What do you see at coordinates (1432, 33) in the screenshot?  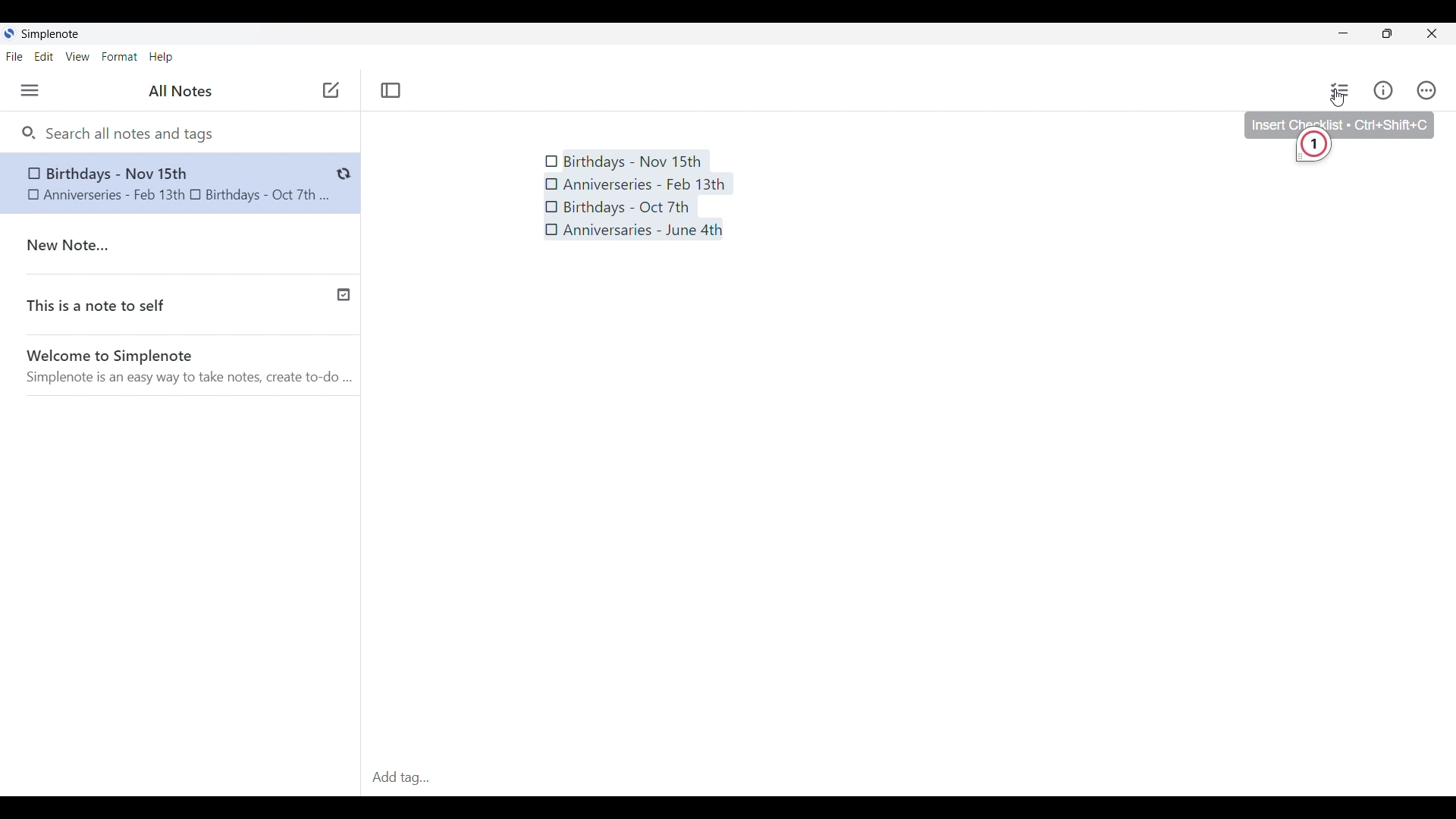 I see `Close interface` at bounding box center [1432, 33].